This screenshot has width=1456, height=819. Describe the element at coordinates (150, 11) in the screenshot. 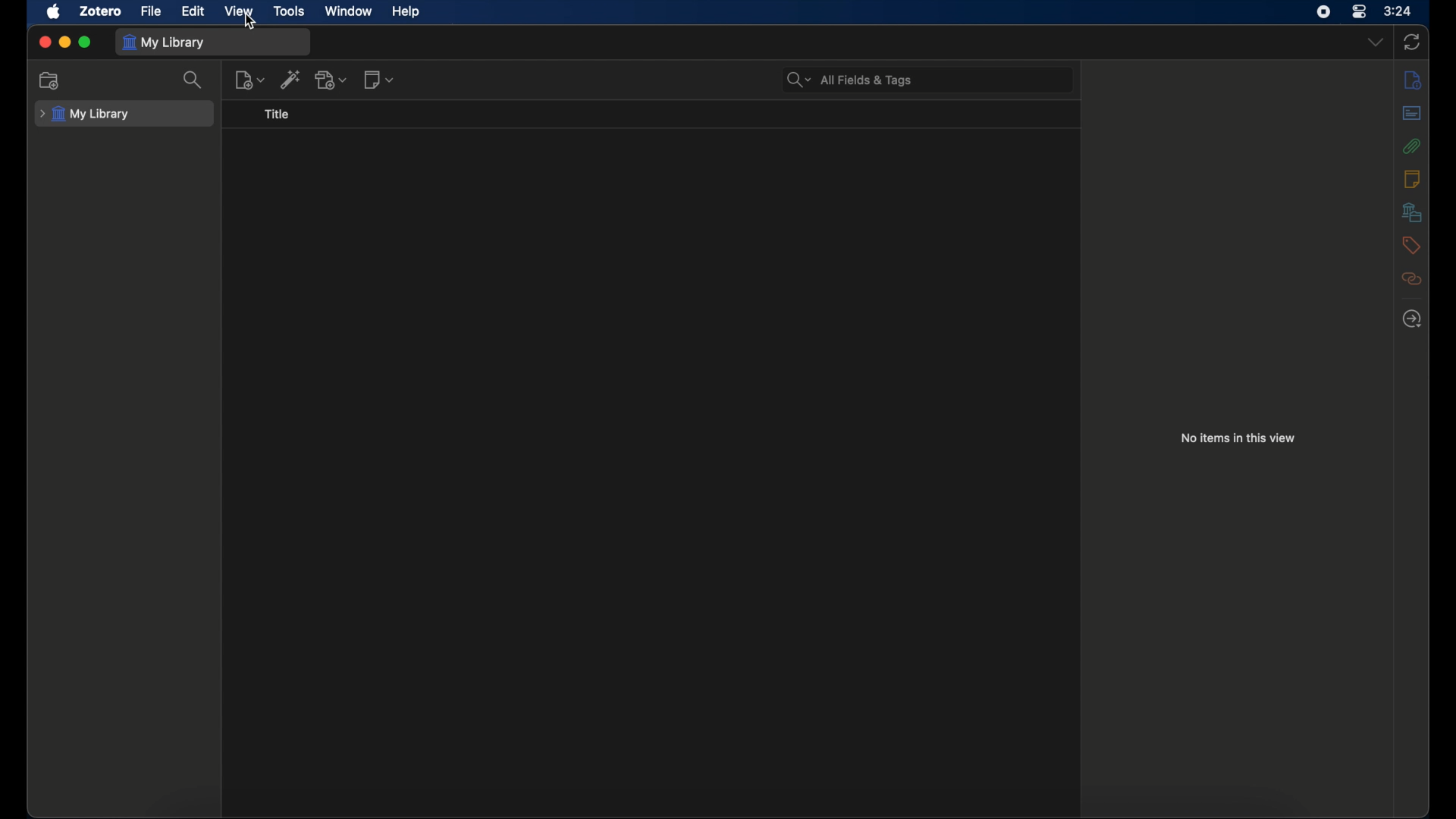

I see `file` at that location.